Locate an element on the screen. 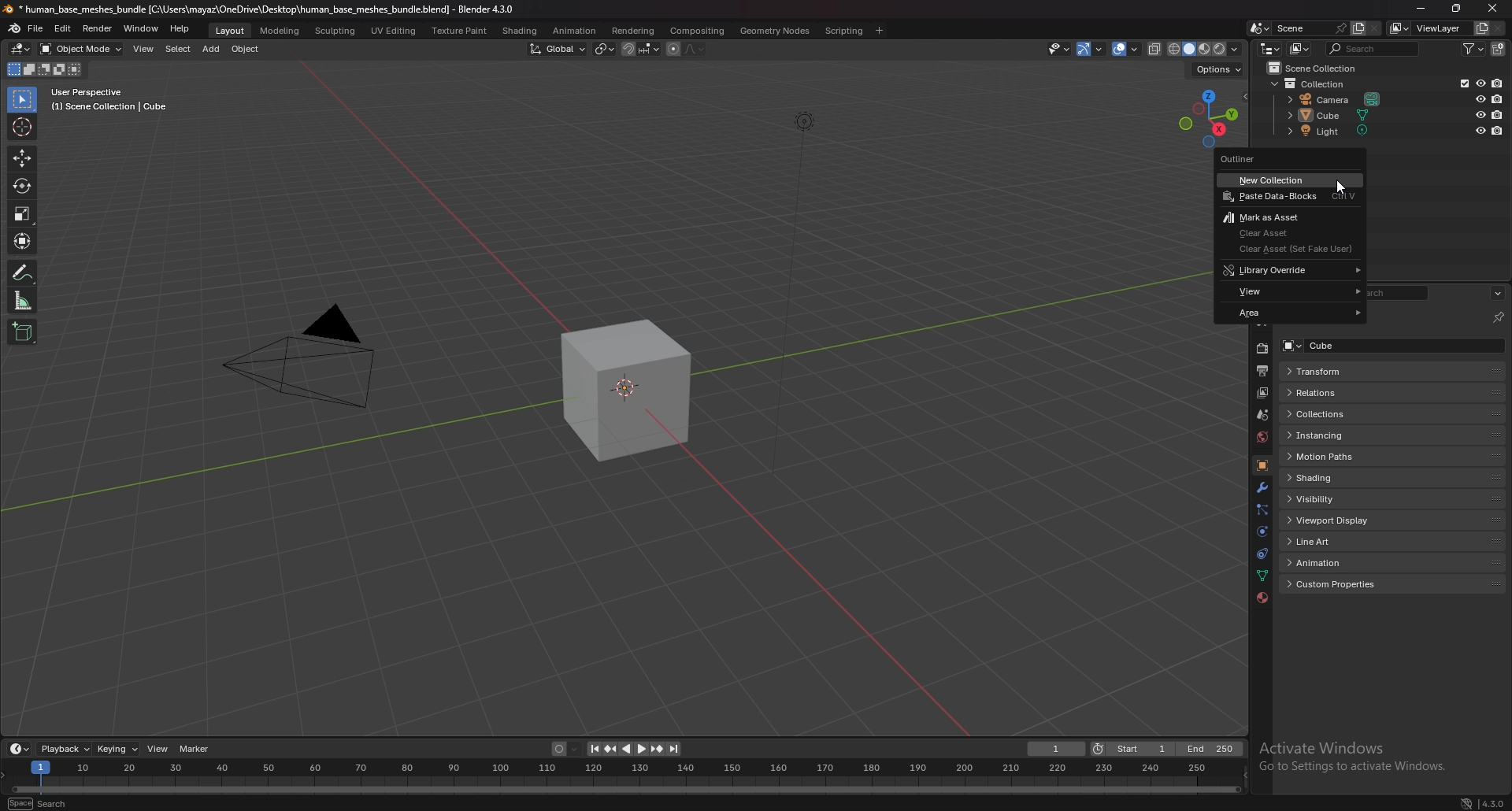  disable in renders is located at coordinates (1499, 114).